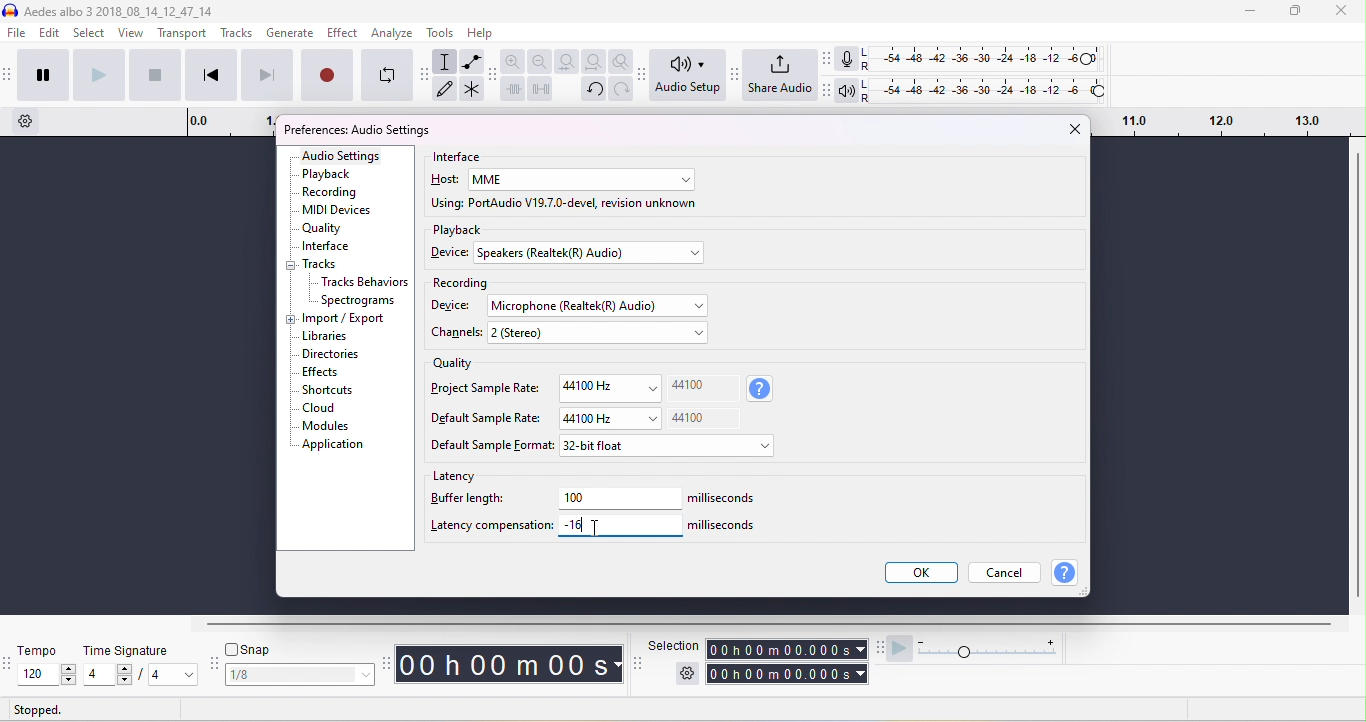 This screenshot has width=1366, height=722. What do you see at coordinates (320, 265) in the screenshot?
I see `tracks` at bounding box center [320, 265].